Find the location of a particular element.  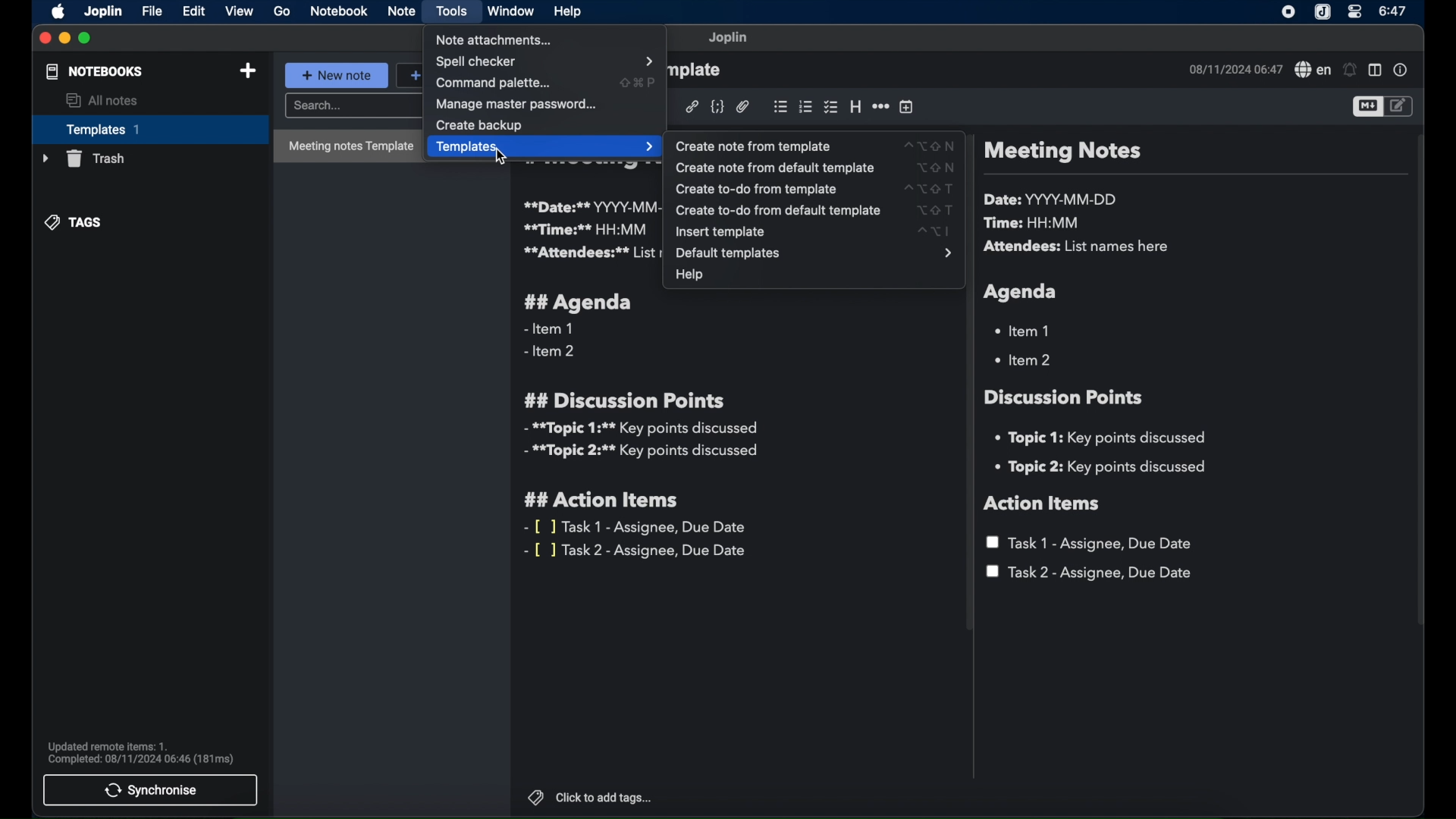

meeting notes is located at coordinates (1062, 152).